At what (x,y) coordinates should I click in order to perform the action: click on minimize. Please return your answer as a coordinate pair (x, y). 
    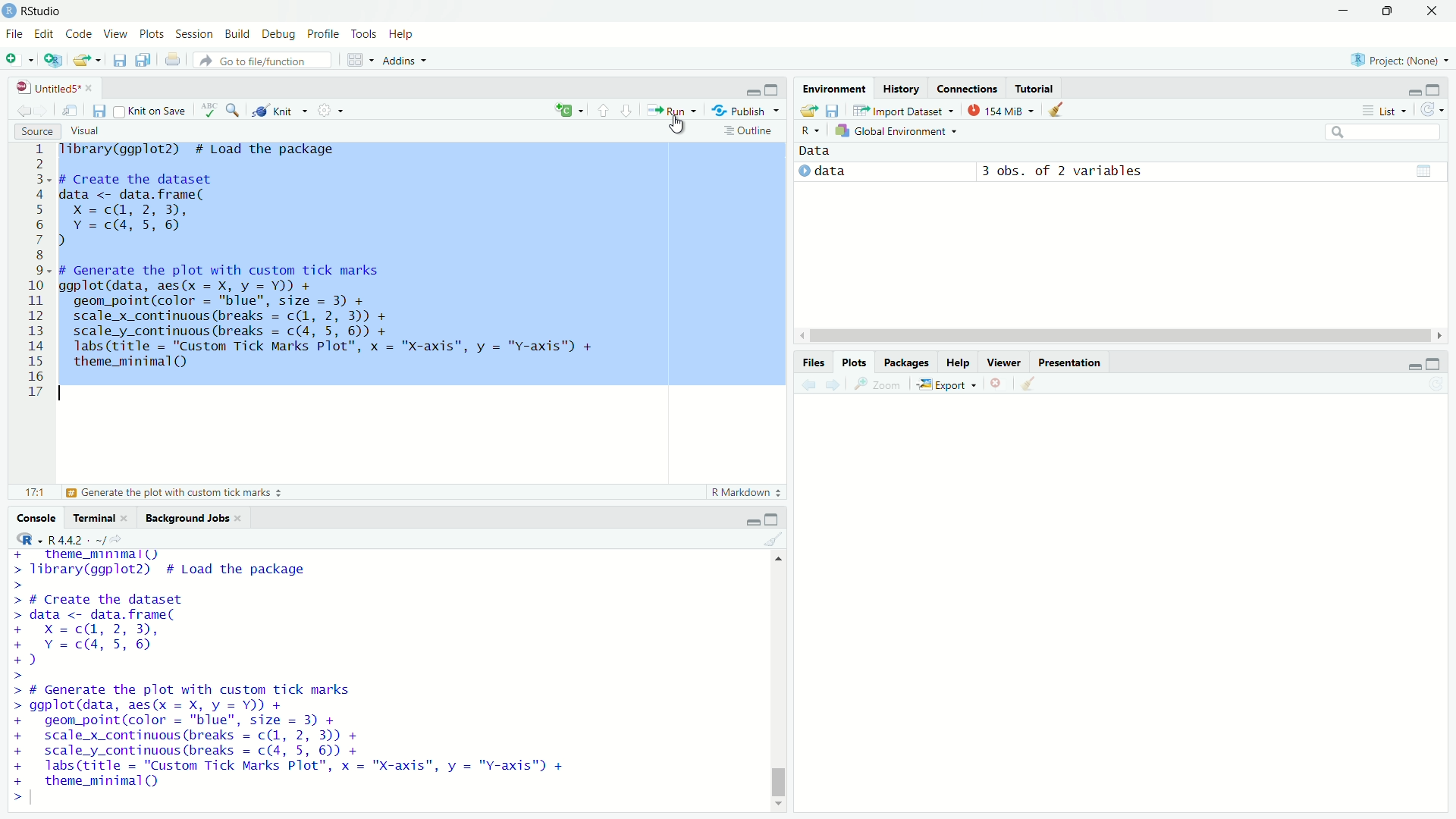
    Looking at the image, I should click on (751, 92).